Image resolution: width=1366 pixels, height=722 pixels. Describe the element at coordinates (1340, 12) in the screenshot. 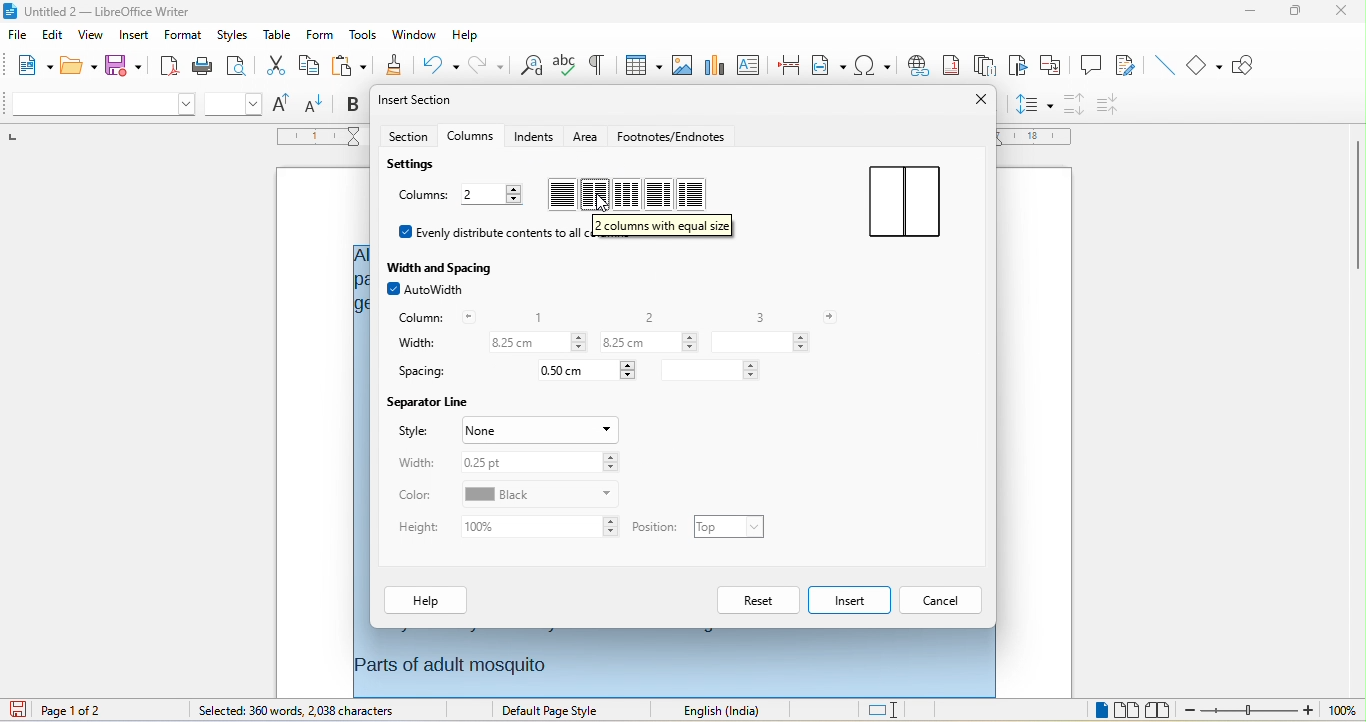

I see `close` at that location.